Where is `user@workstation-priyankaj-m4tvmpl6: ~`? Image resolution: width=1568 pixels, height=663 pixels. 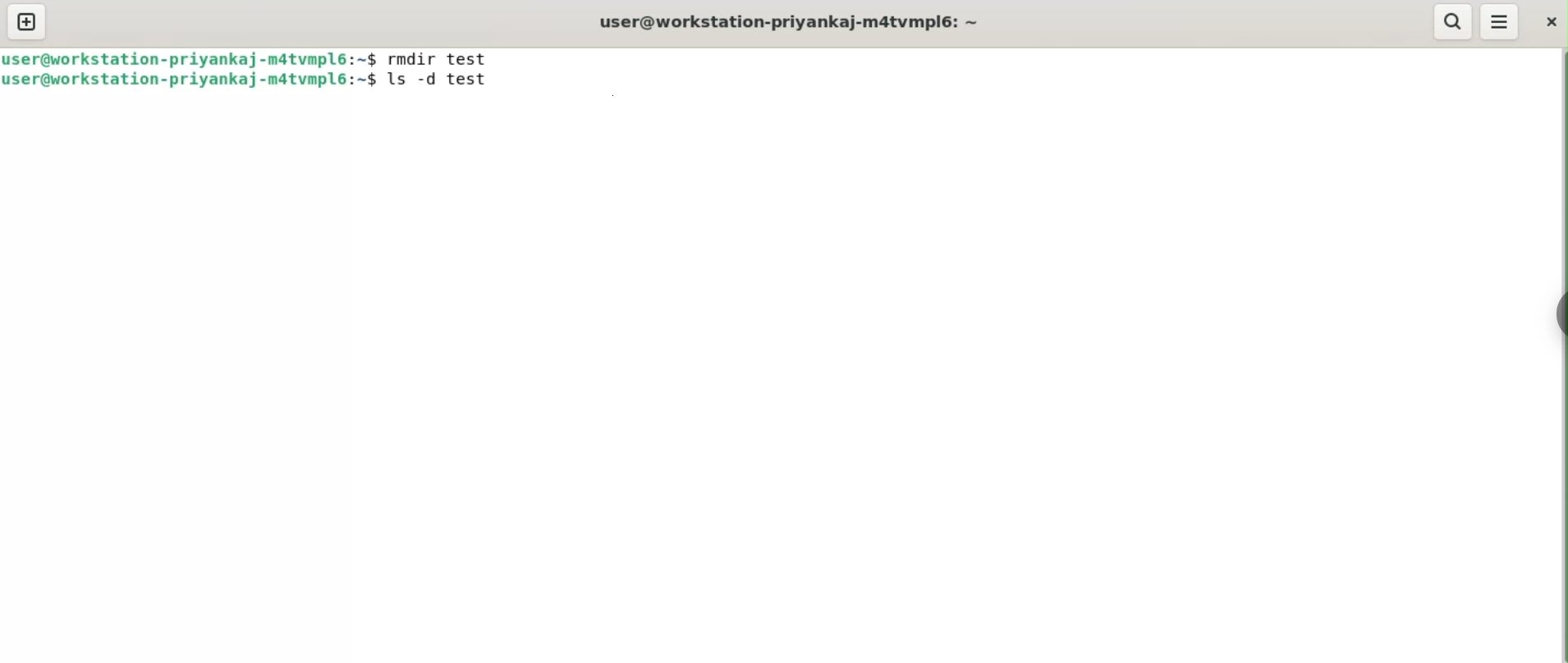 user@workstation-priyankaj-m4tvmpl6: ~ is located at coordinates (798, 21).